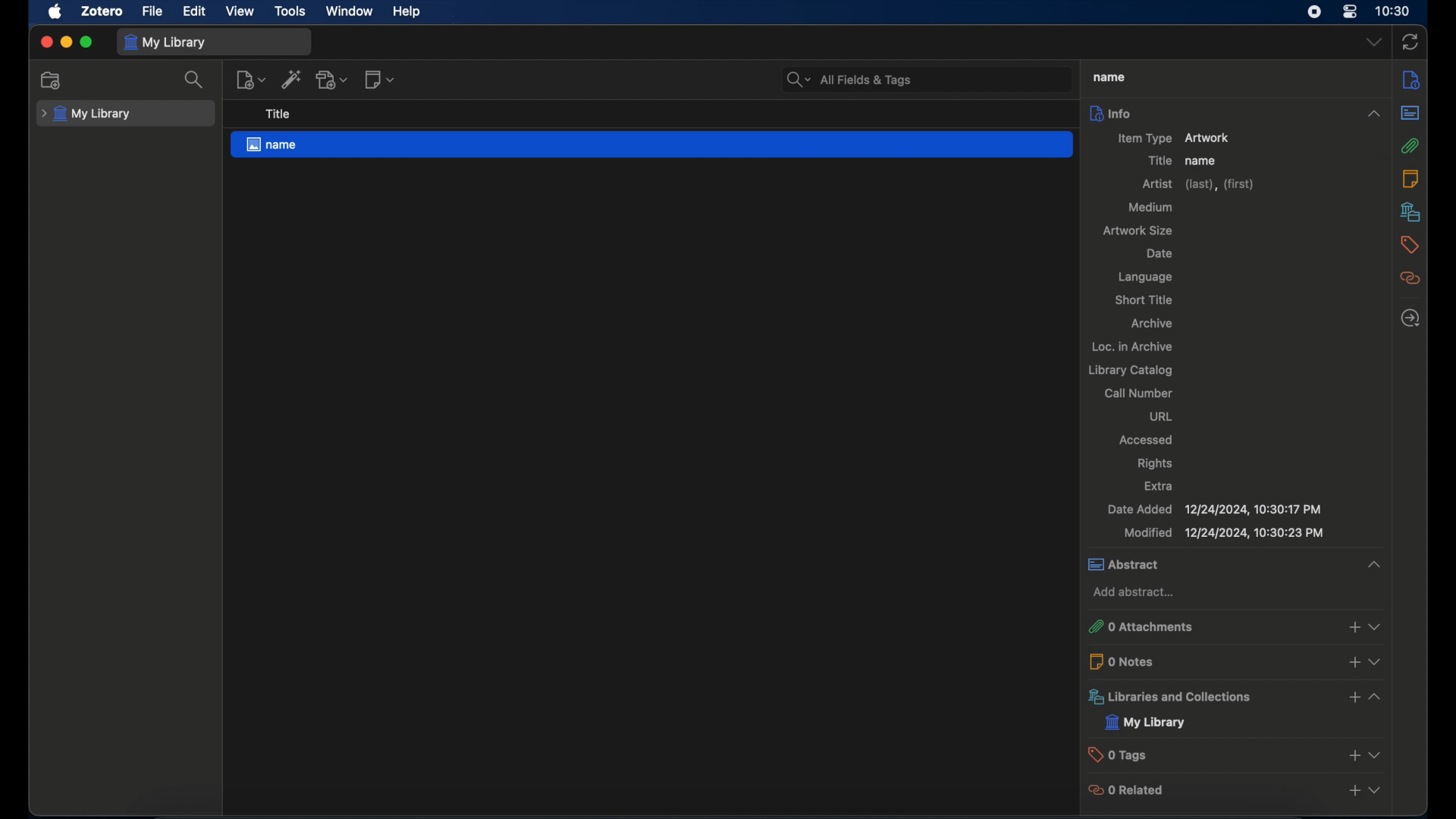 The height and width of the screenshot is (819, 1456). I want to click on window, so click(350, 11).